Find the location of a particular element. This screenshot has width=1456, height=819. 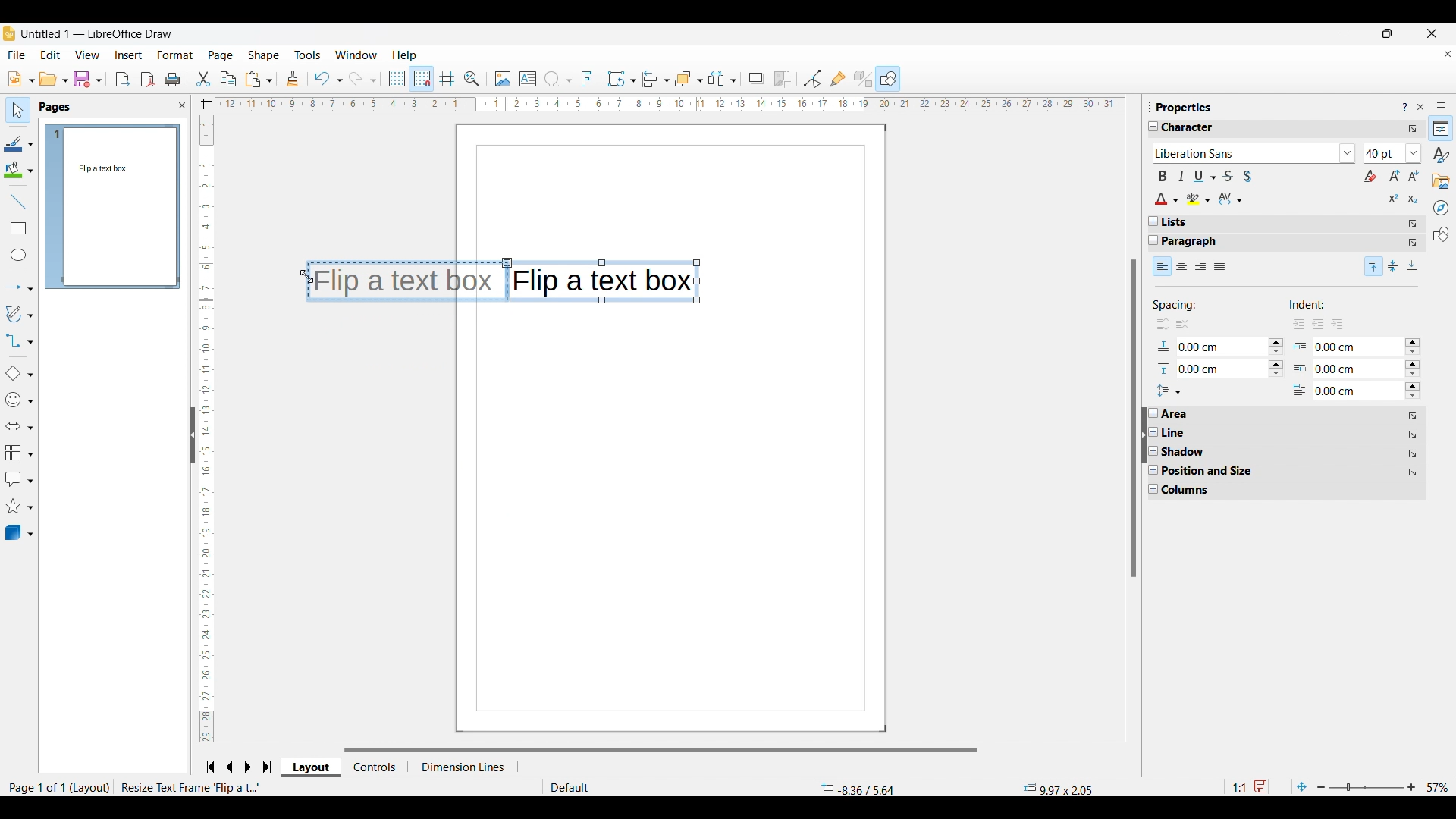

Click to save document is located at coordinates (1260, 786).